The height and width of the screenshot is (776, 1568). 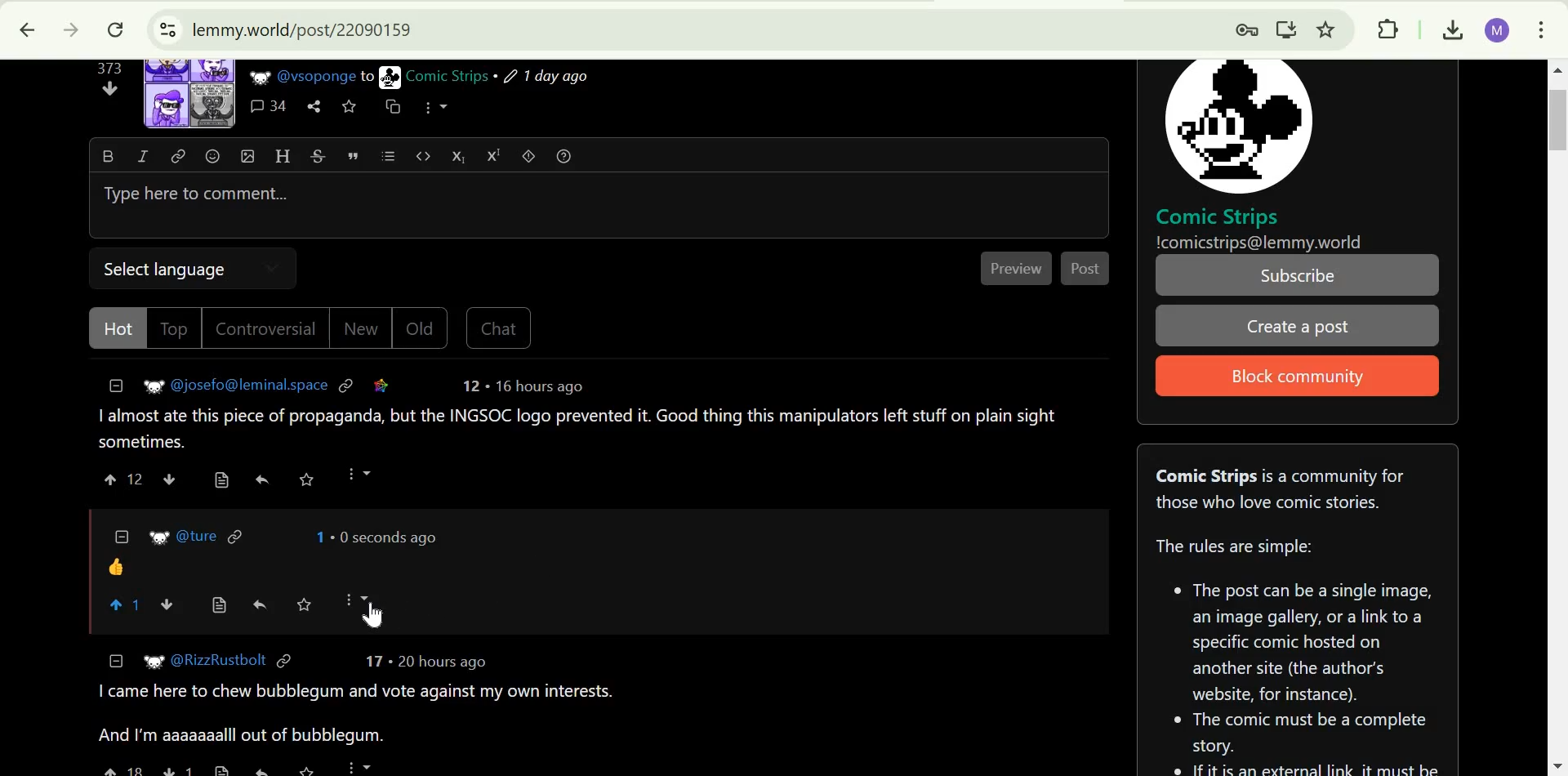 I want to click on 373 points, so click(x=109, y=68).